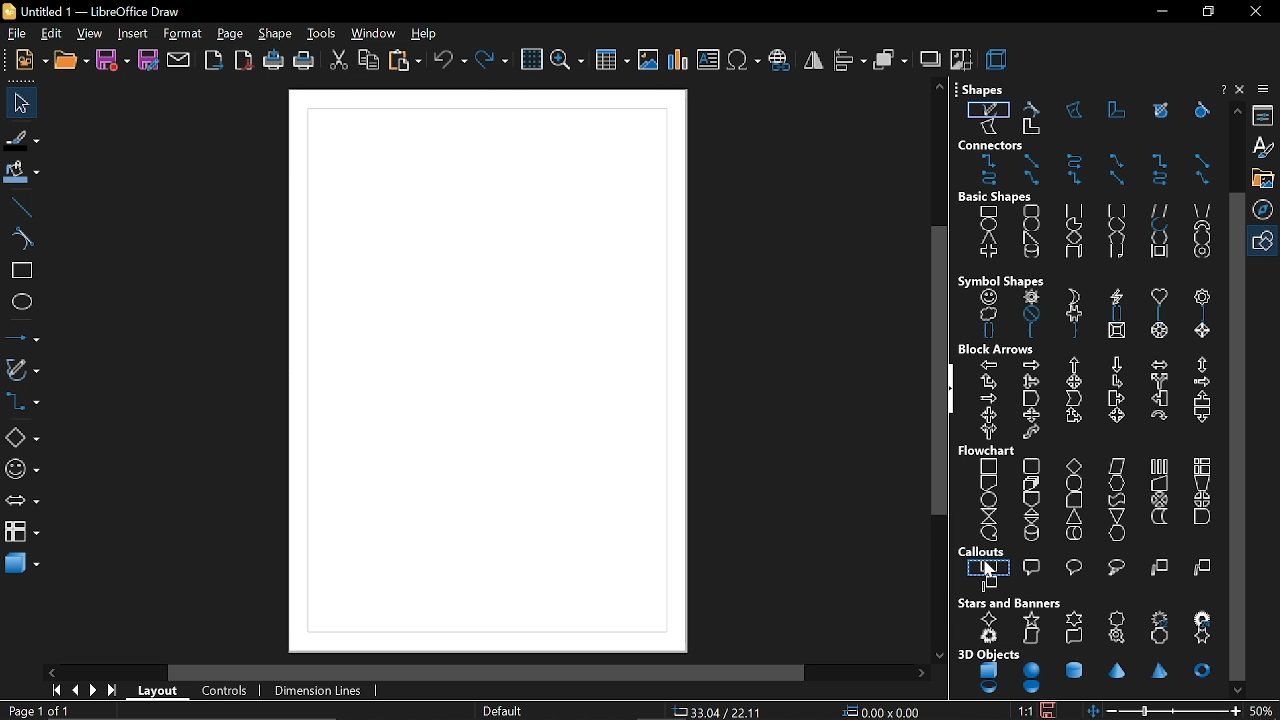  What do you see at coordinates (989, 532) in the screenshot?
I see `sequential access` at bounding box center [989, 532].